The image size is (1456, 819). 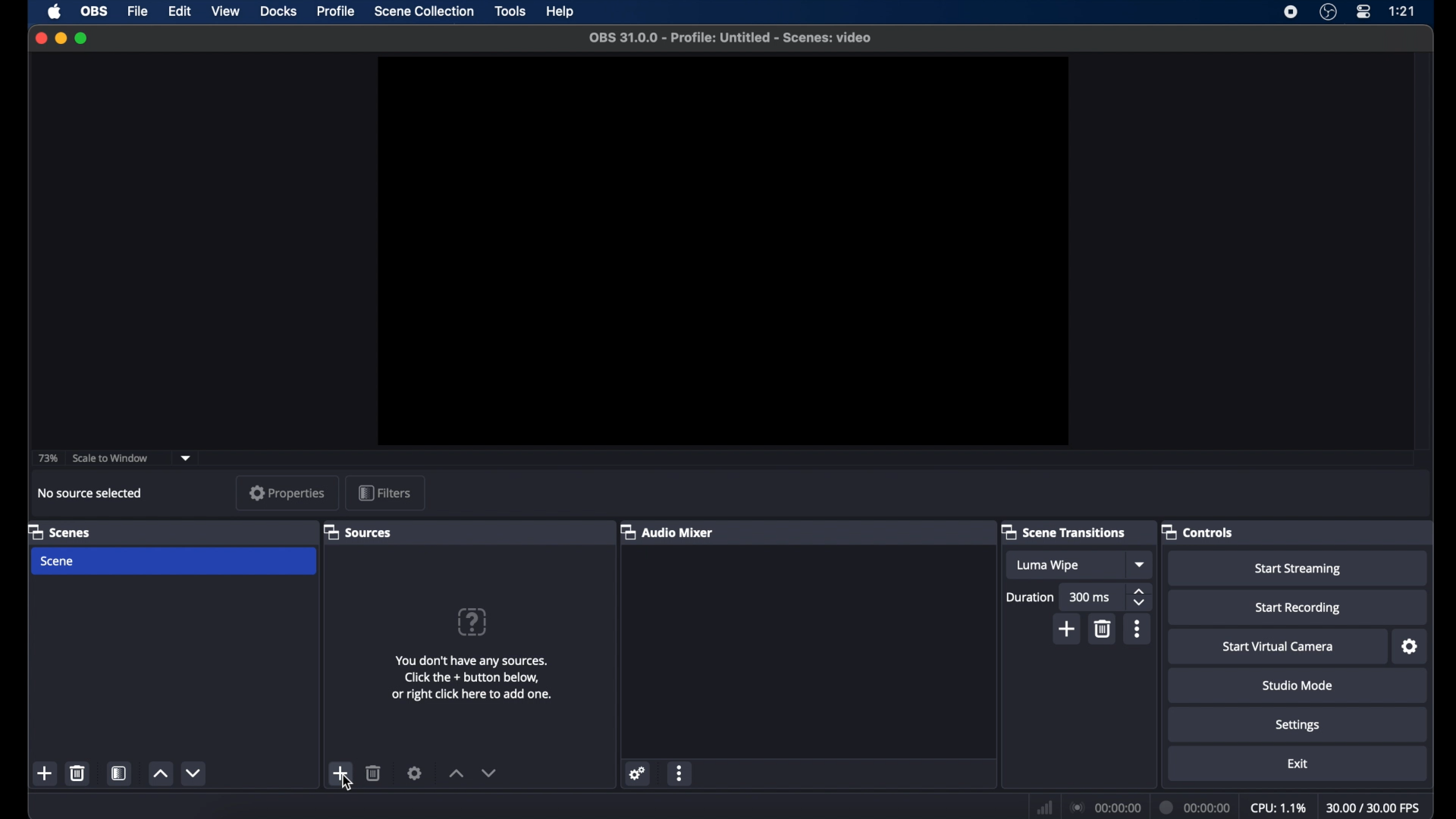 What do you see at coordinates (561, 13) in the screenshot?
I see `help` at bounding box center [561, 13].